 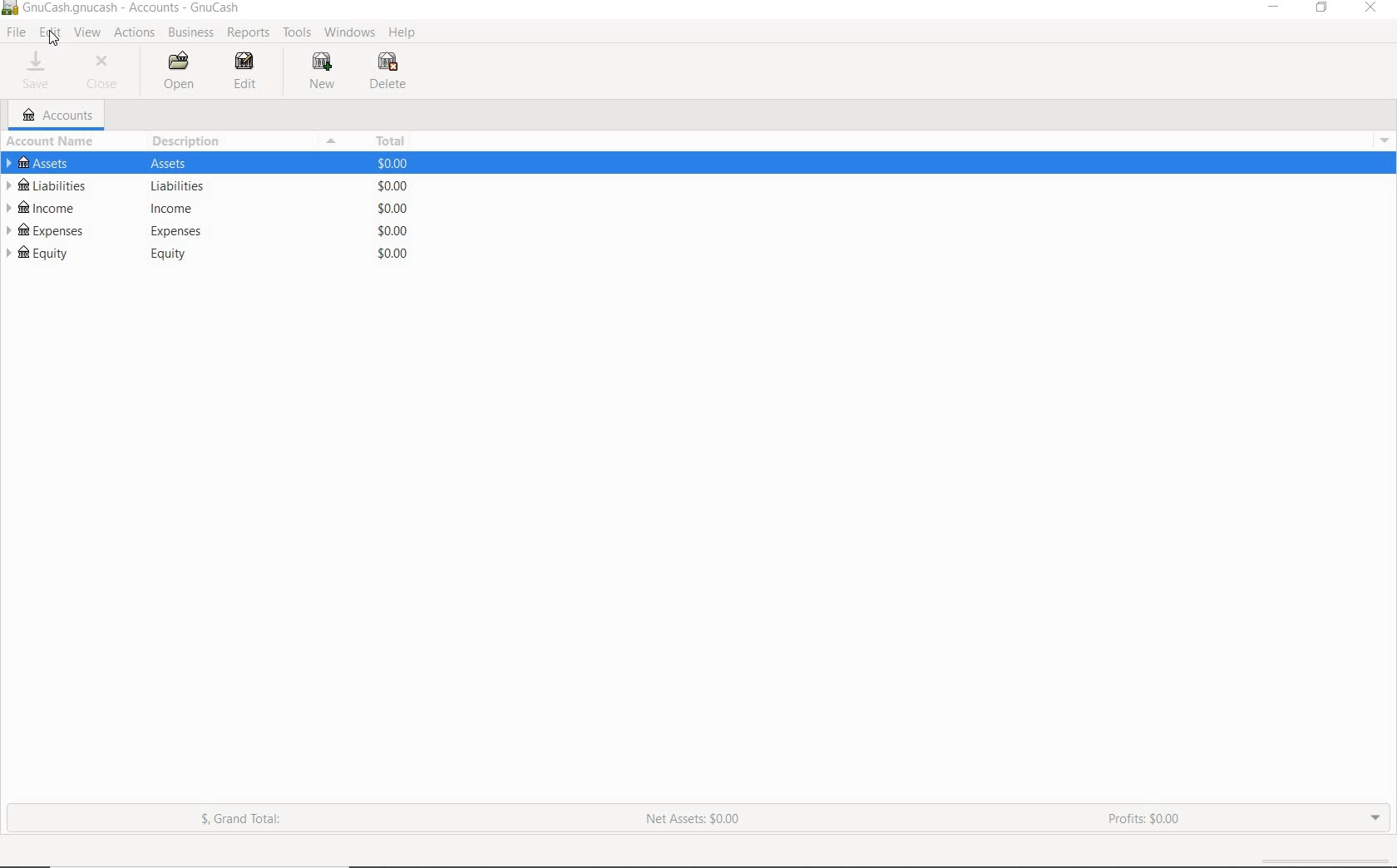 What do you see at coordinates (1373, 9) in the screenshot?
I see `CLOSE` at bounding box center [1373, 9].